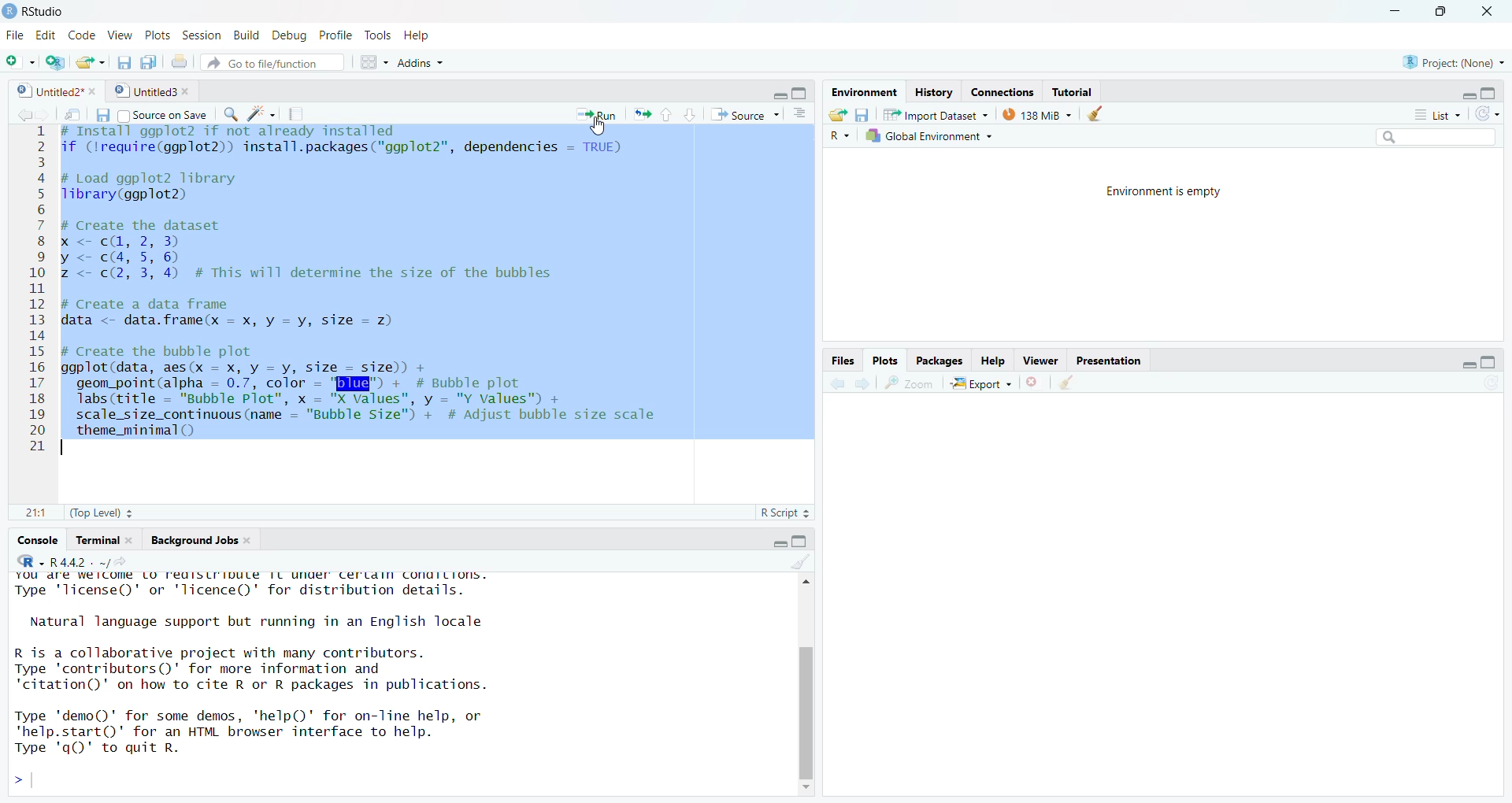 This screenshot has width=1512, height=803. Describe the element at coordinates (1066, 382) in the screenshot. I see `clear viewer` at that location.